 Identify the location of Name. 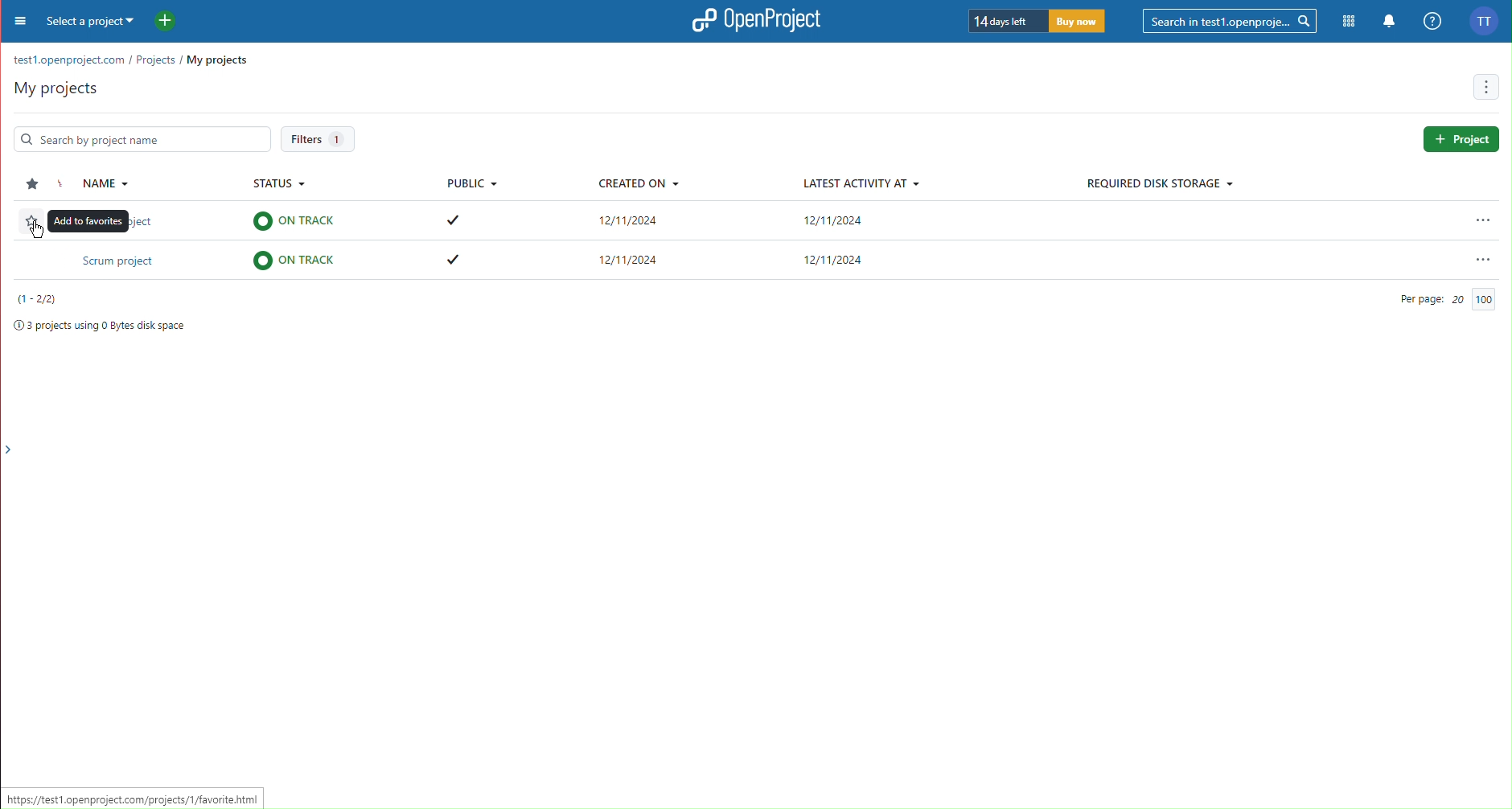
(99, 184).